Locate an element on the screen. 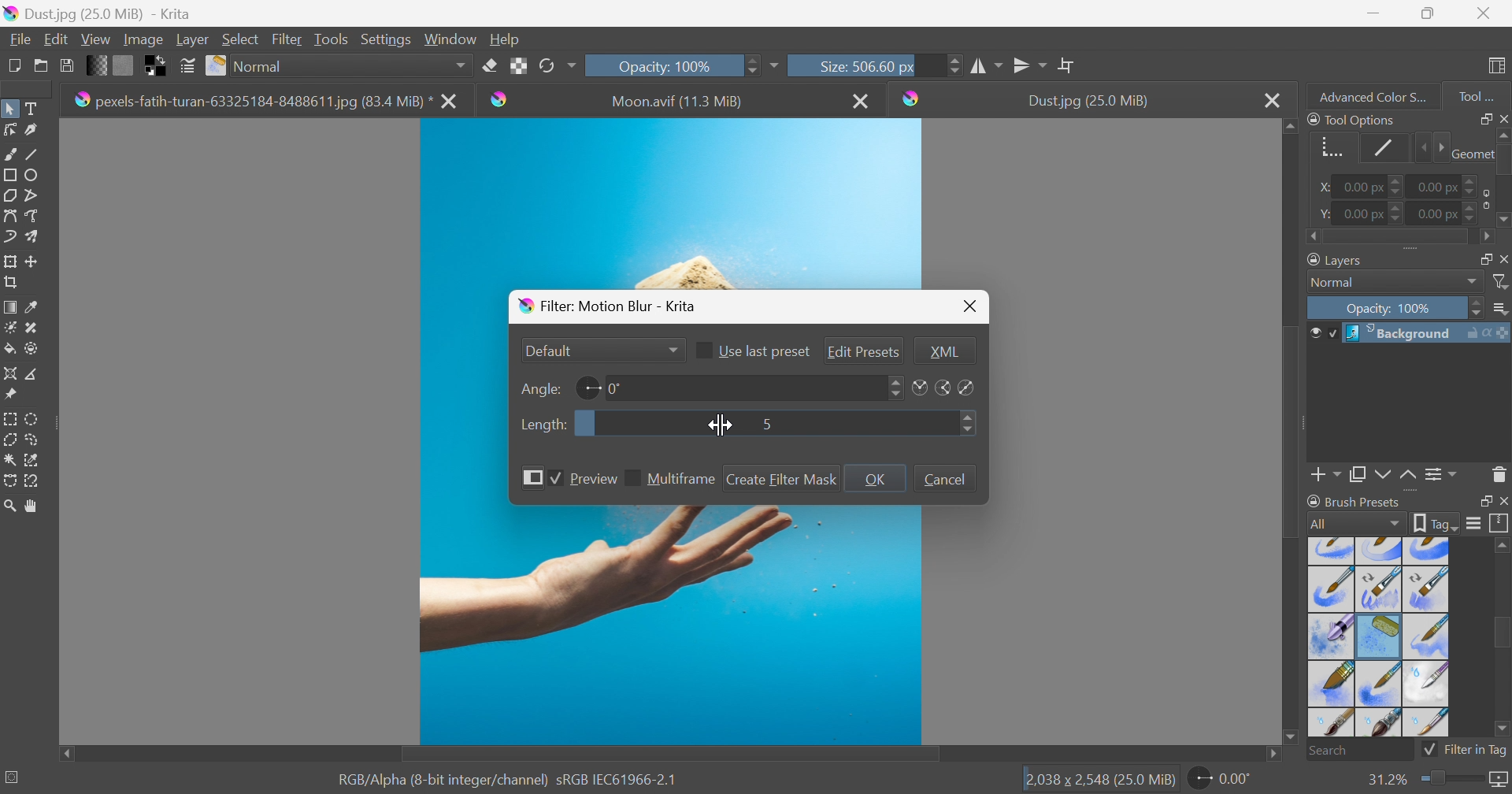 The height and width of the screenshot is (794, 1512). Moon.avif (11.3 MB) is located at coordinates (679, 102).